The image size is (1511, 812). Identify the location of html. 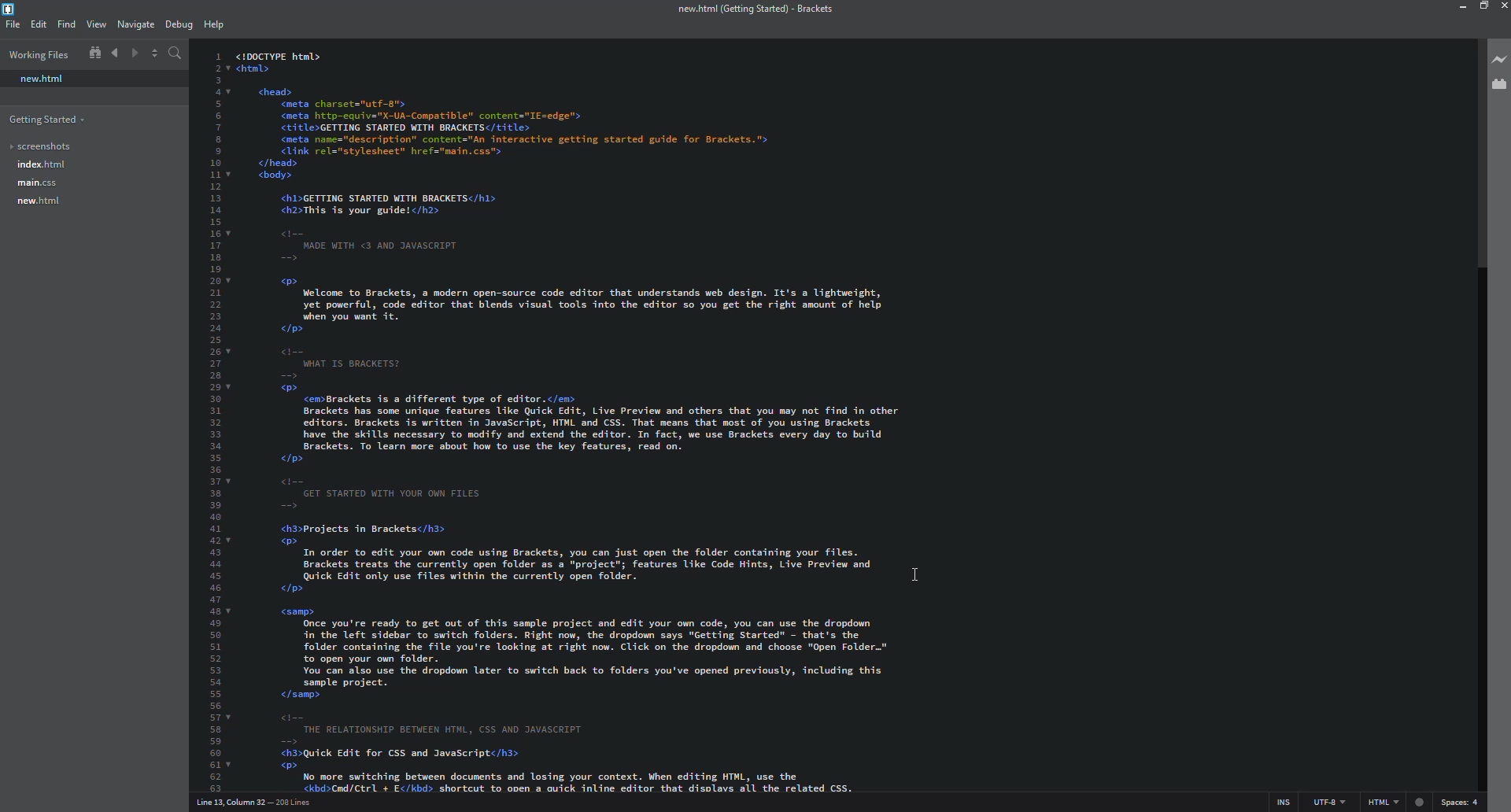
(1397, 802).